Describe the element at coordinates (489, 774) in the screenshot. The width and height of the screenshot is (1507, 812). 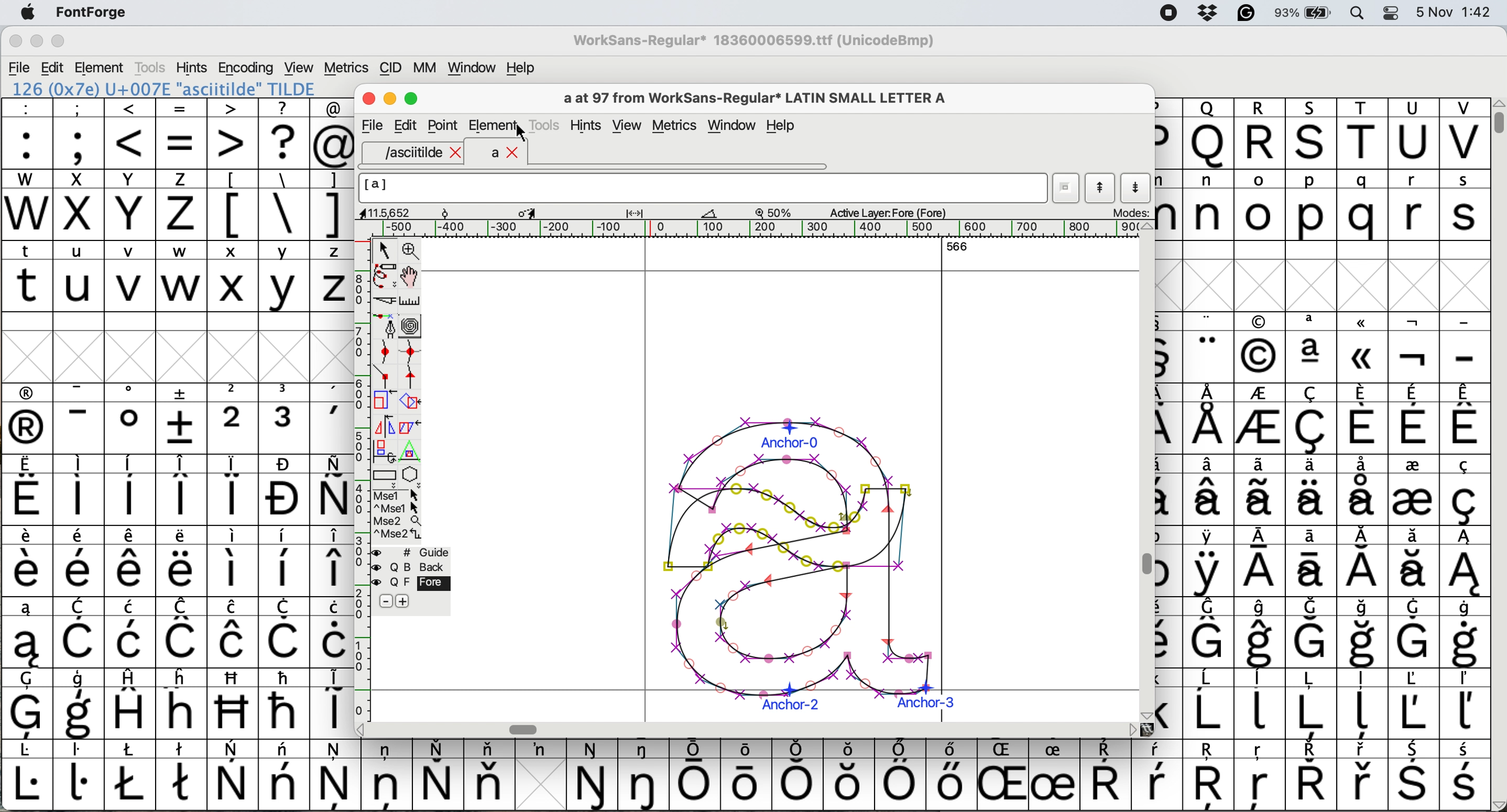
I see `symbol` at that location.